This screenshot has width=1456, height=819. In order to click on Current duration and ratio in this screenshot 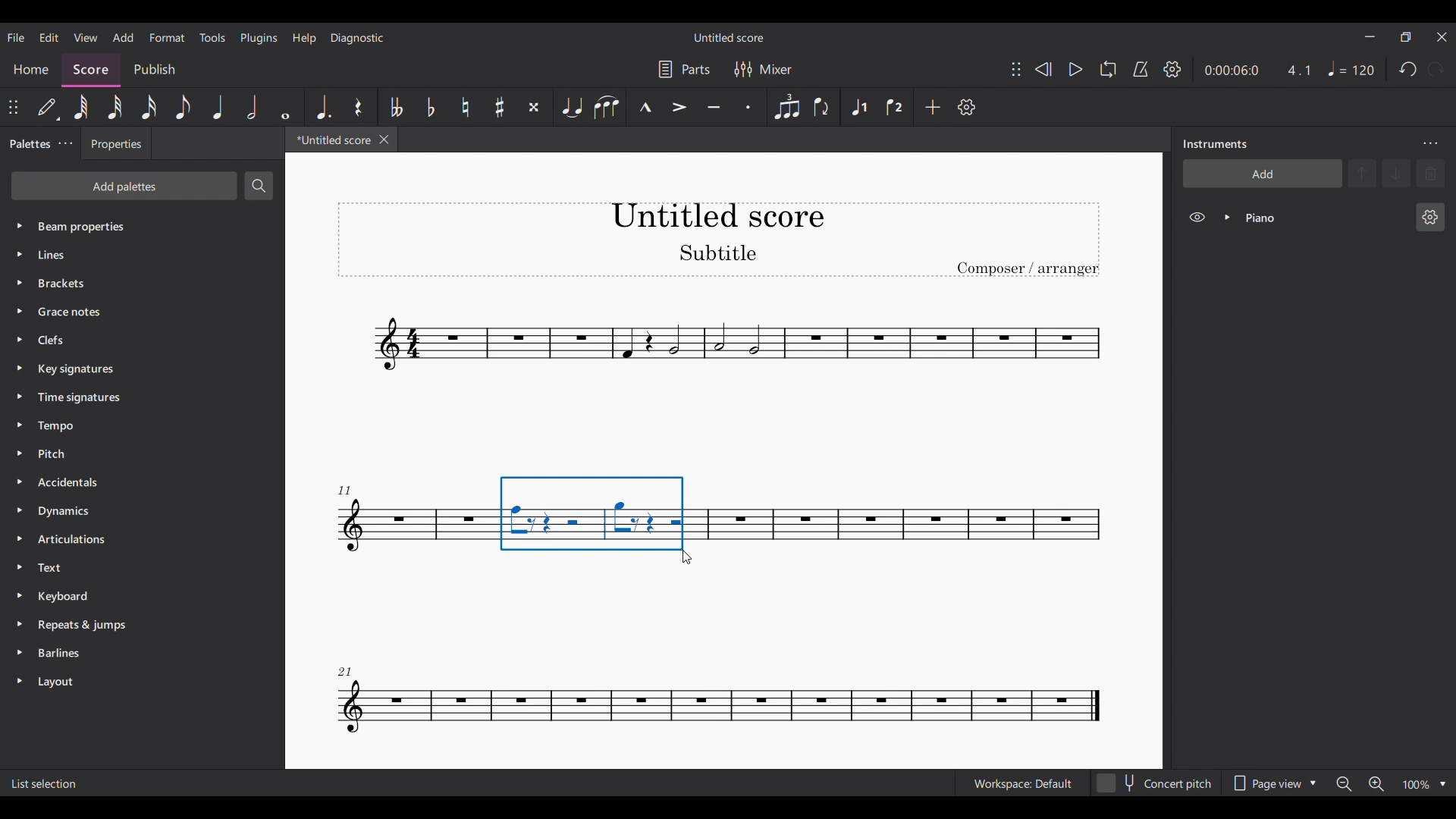, I will do `click(1257, 71)`.